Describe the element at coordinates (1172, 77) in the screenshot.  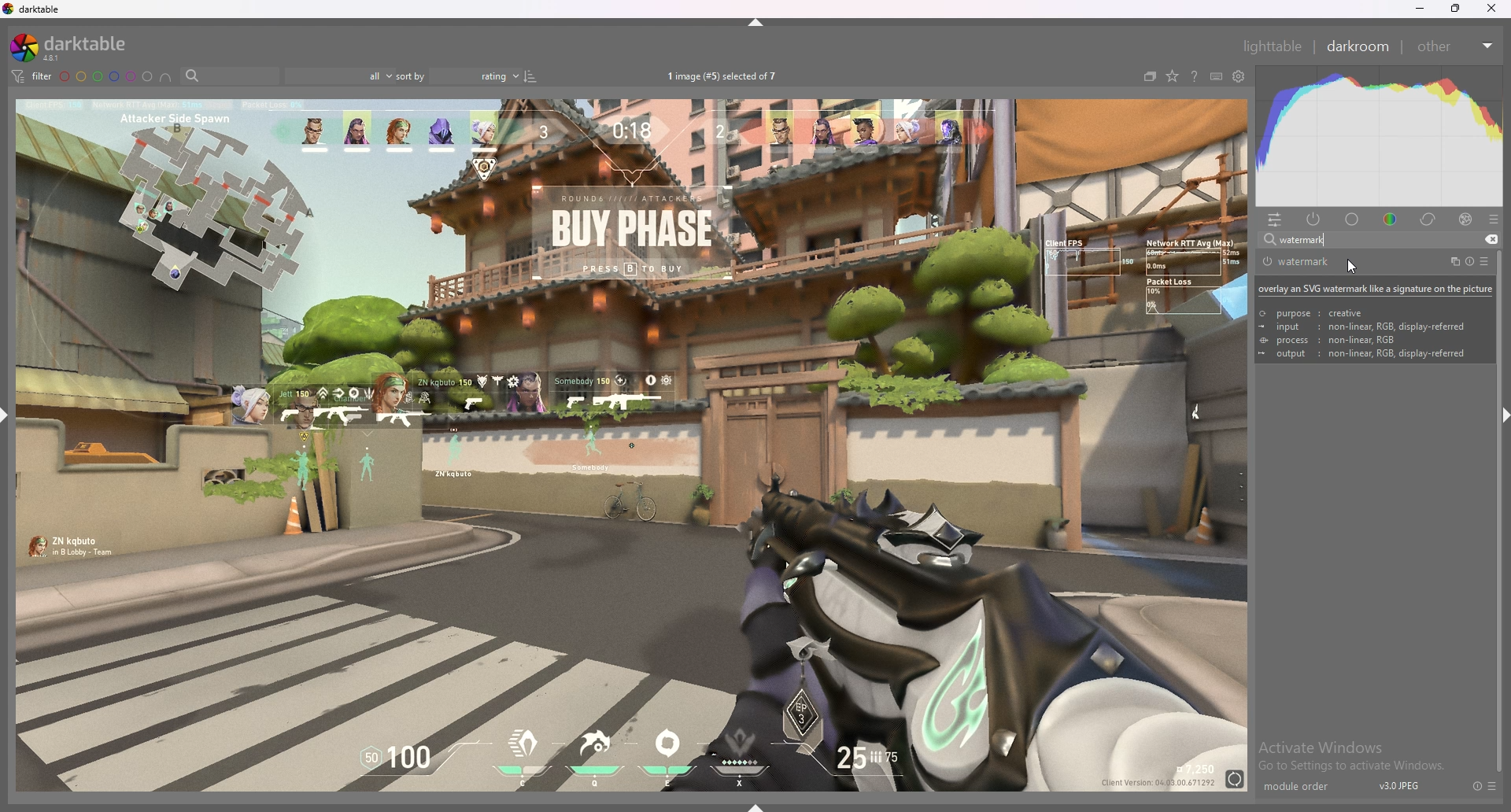
I see `change type of overlays` at that location.